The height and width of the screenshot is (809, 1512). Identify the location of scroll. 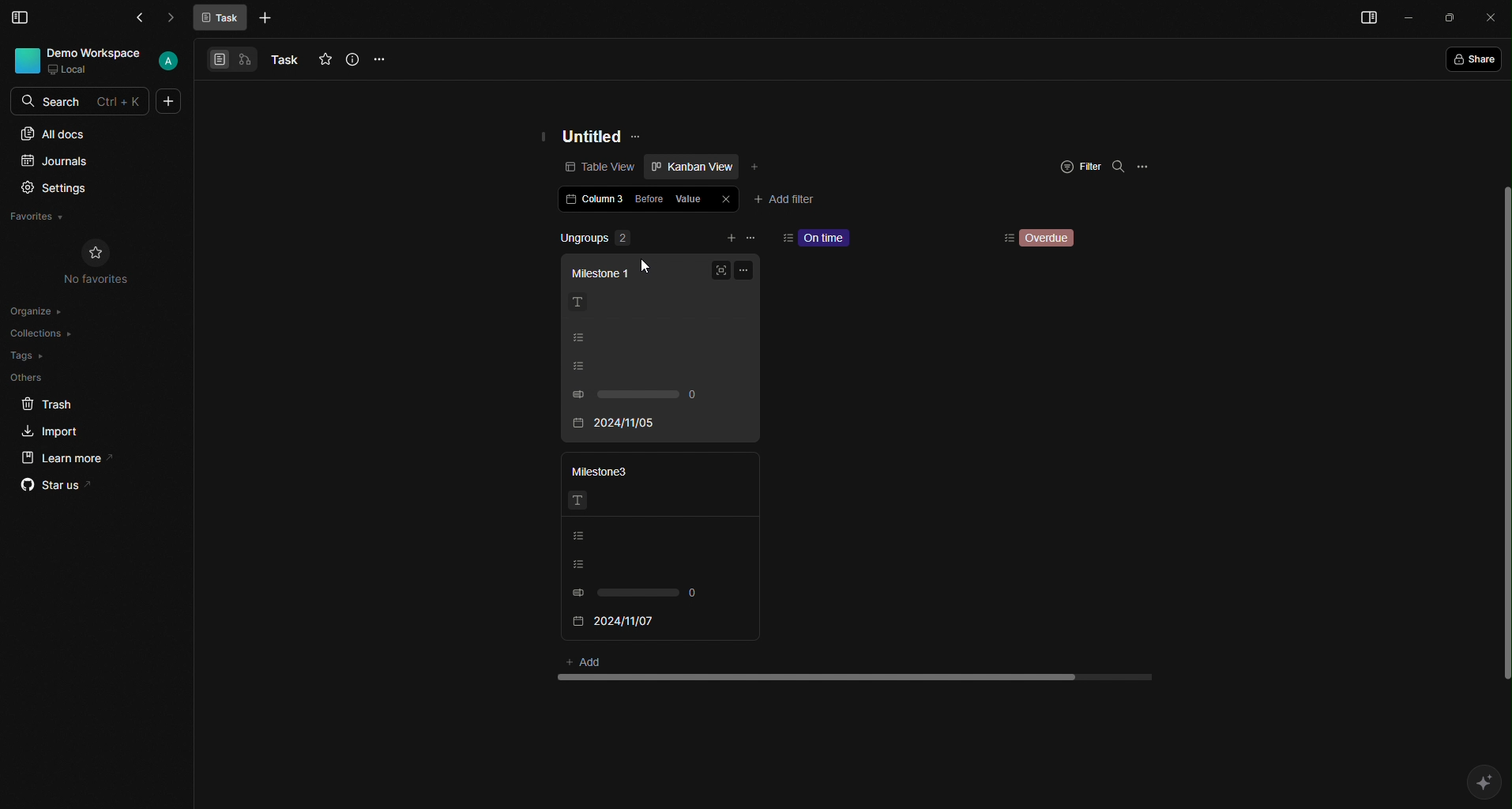
(860, 680).